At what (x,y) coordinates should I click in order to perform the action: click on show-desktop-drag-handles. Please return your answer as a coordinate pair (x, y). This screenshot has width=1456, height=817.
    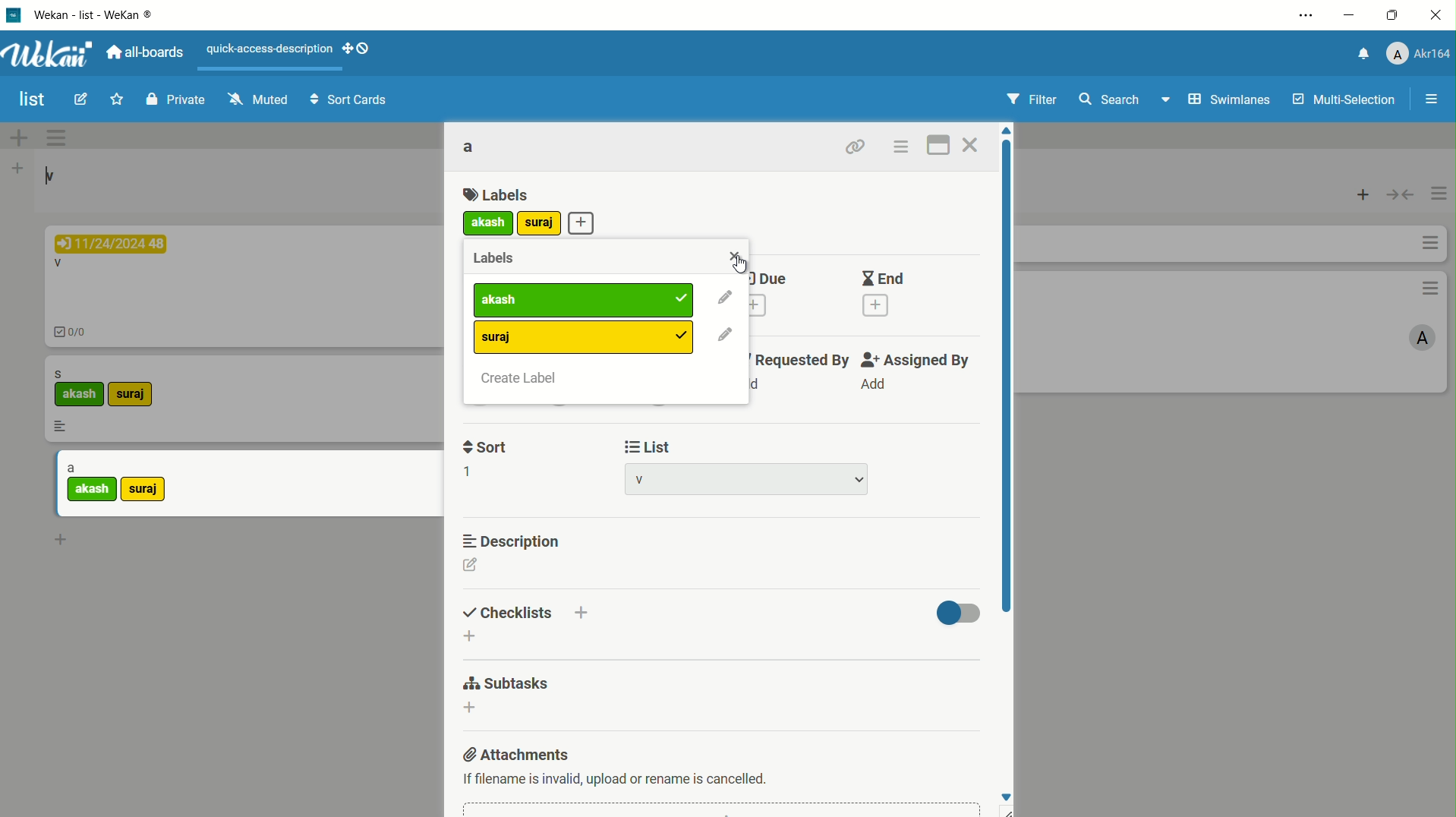
    Looking at the image, I should click on (360, 49).